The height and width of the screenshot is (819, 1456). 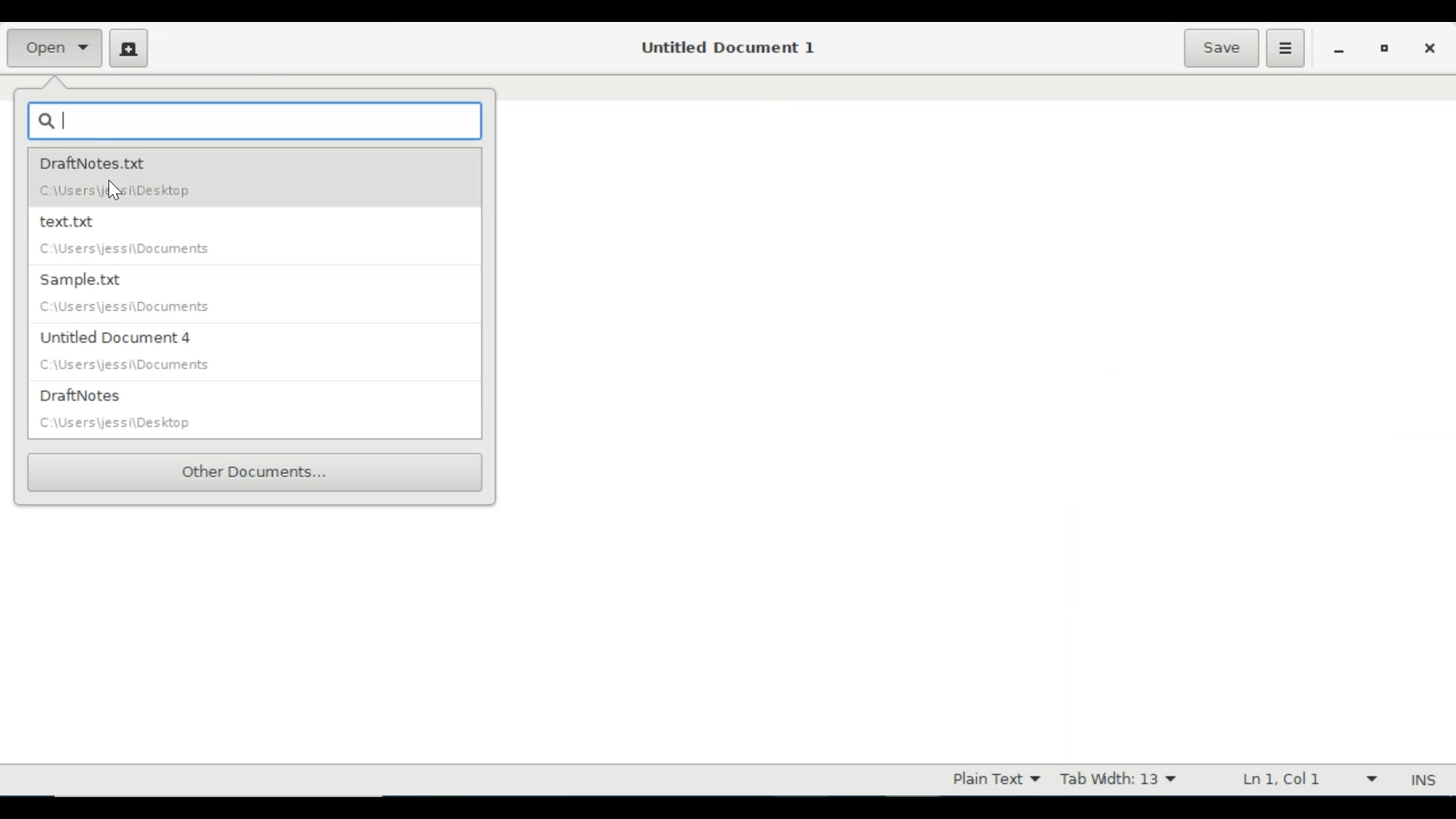 What do you see at coordinates (113, 189) in the screenshot?
I see `Cursor on DraftNotes` at bounding box center [113, 189].